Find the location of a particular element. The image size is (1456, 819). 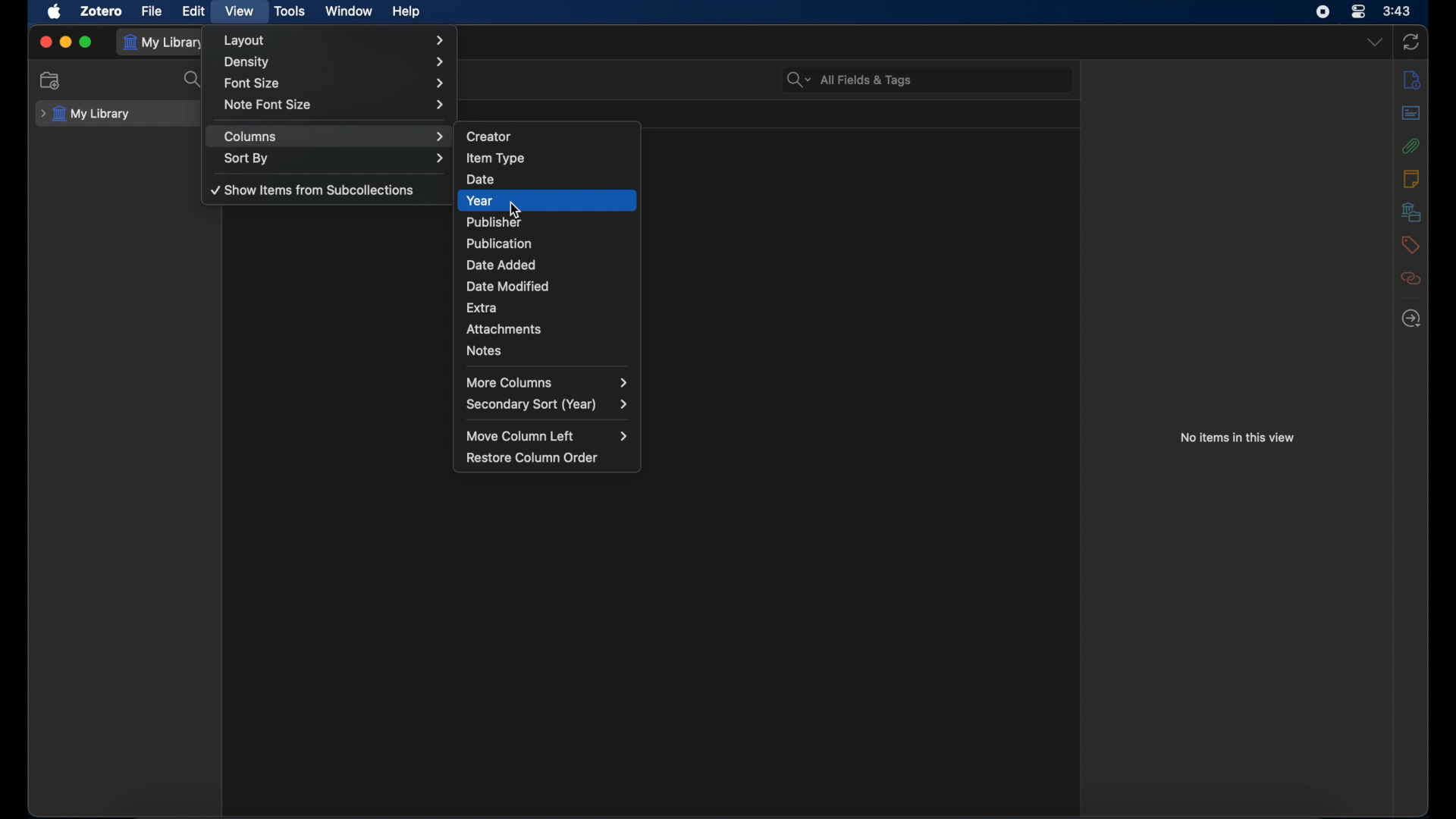

tools is located at coordinates (290, 11).